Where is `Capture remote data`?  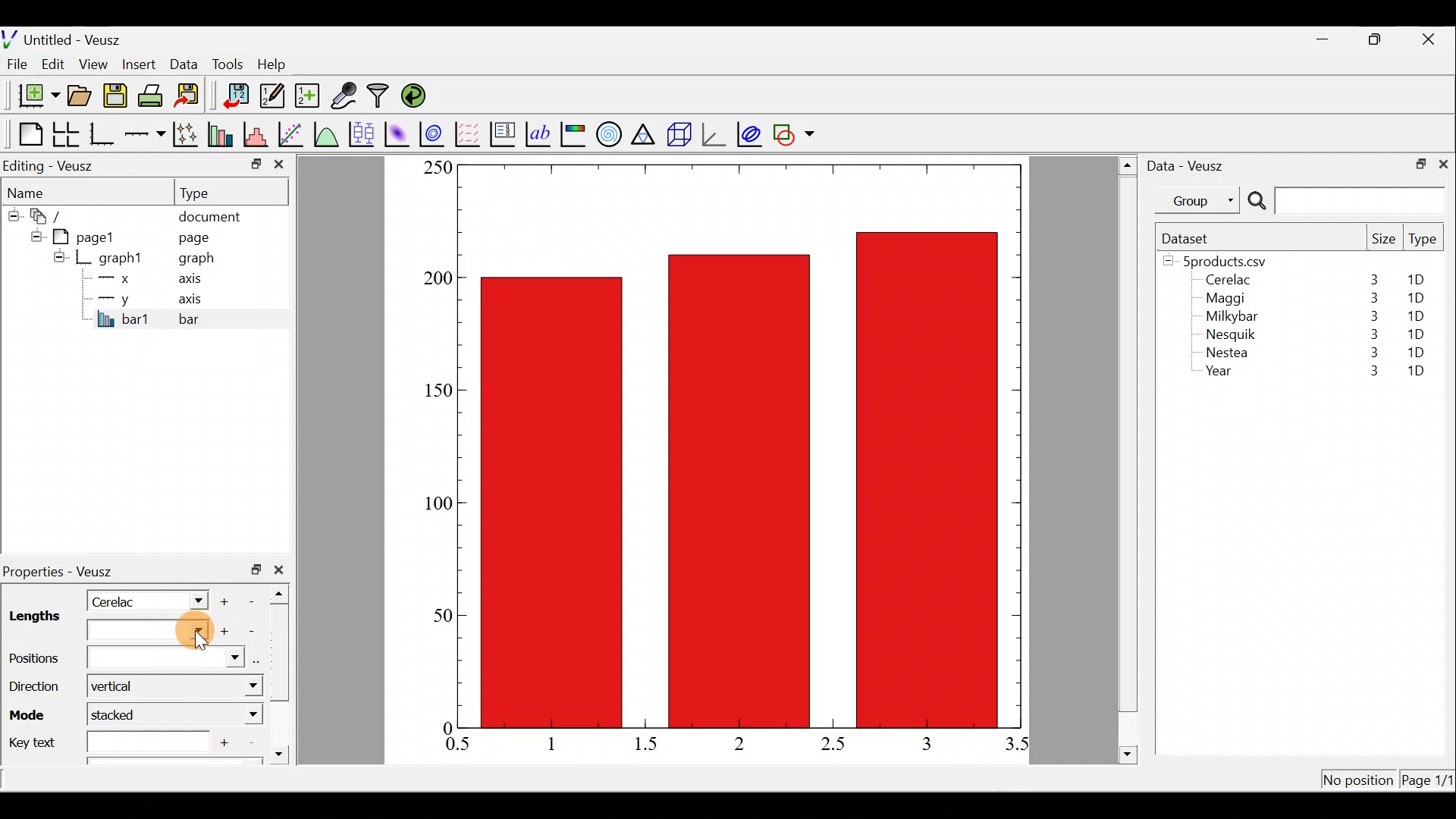
Capture remote data is located at coordinates (345, 96).